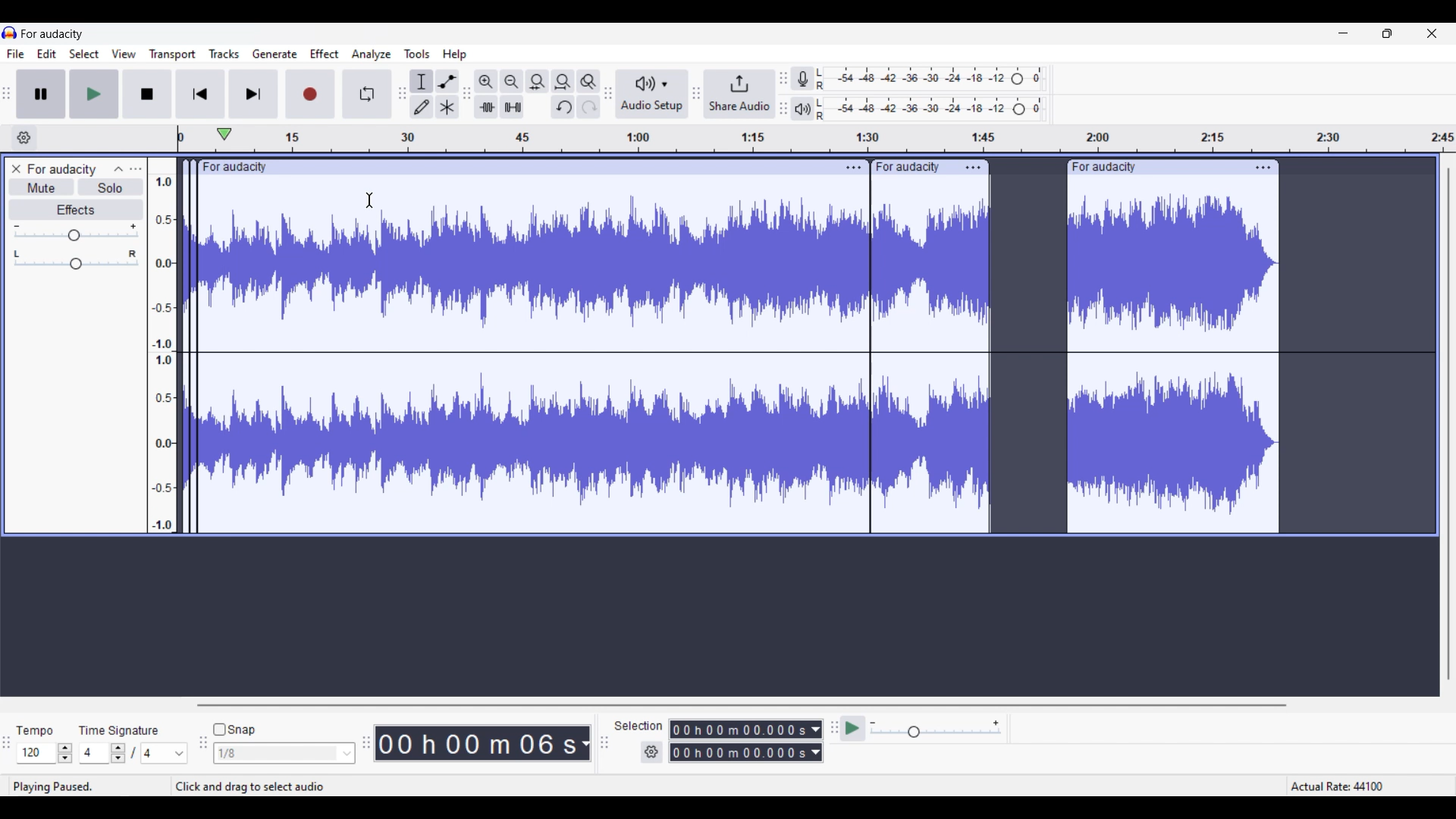 Image resolution: width=1456 pixels, height=819 pixels. I want to click on undo, so click(563, 107).